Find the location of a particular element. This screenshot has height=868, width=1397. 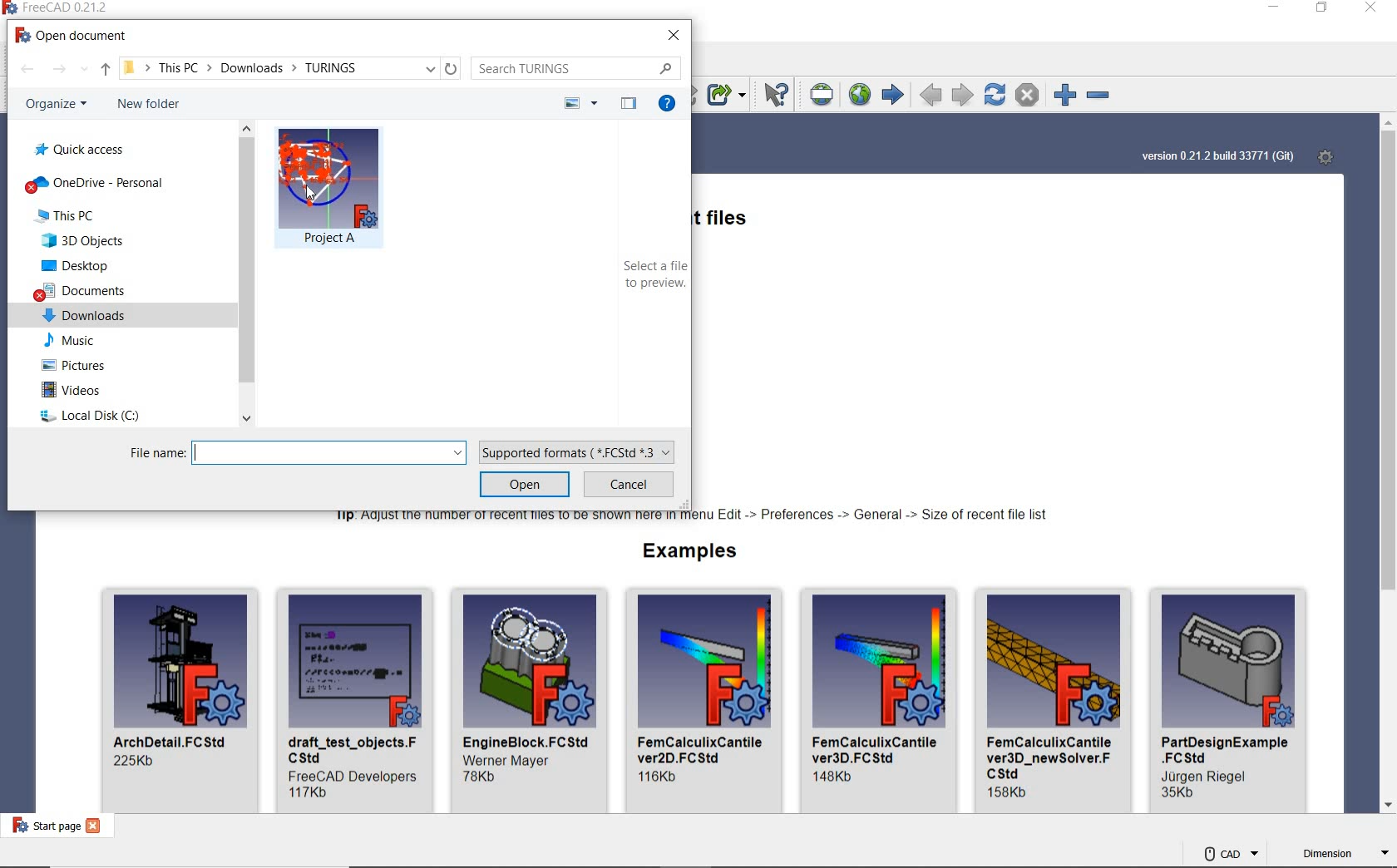

quick access is located at coordinates (81, 150).